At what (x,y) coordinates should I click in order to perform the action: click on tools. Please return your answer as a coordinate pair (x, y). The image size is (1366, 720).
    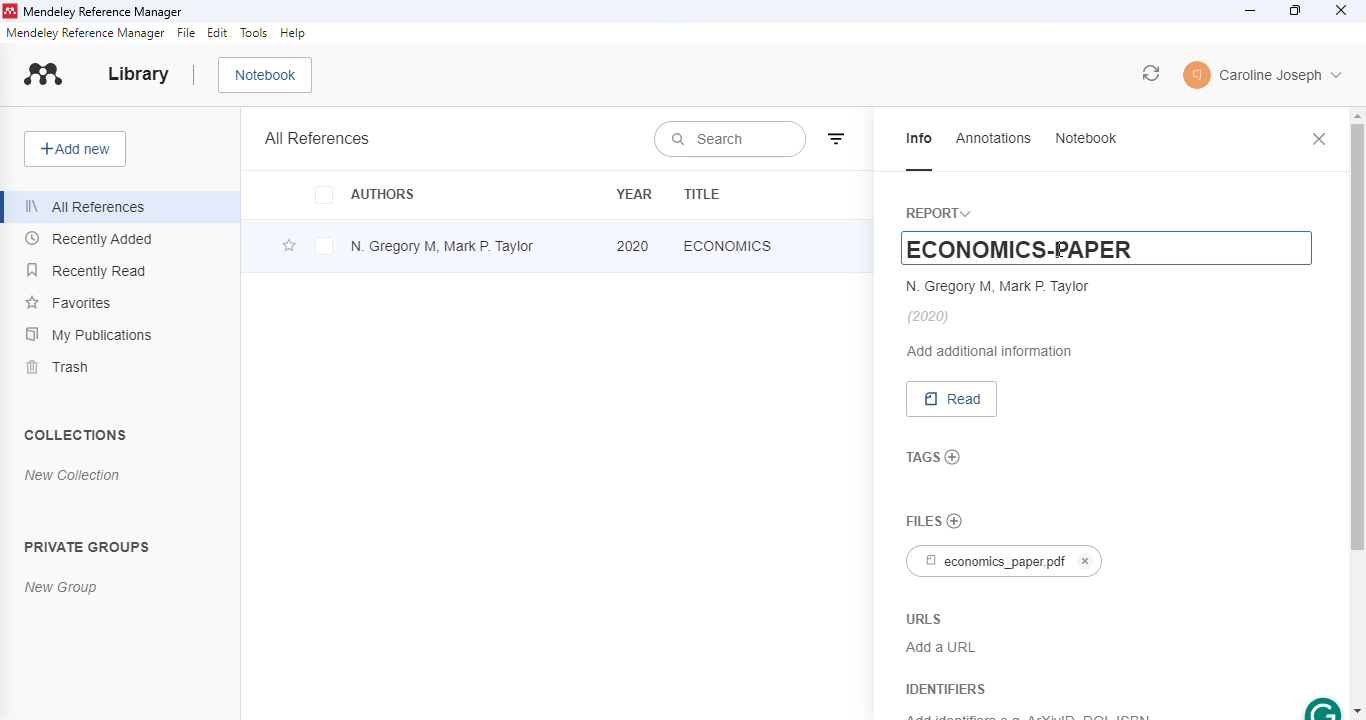
    Looking at the image, I should click on (254, 32).